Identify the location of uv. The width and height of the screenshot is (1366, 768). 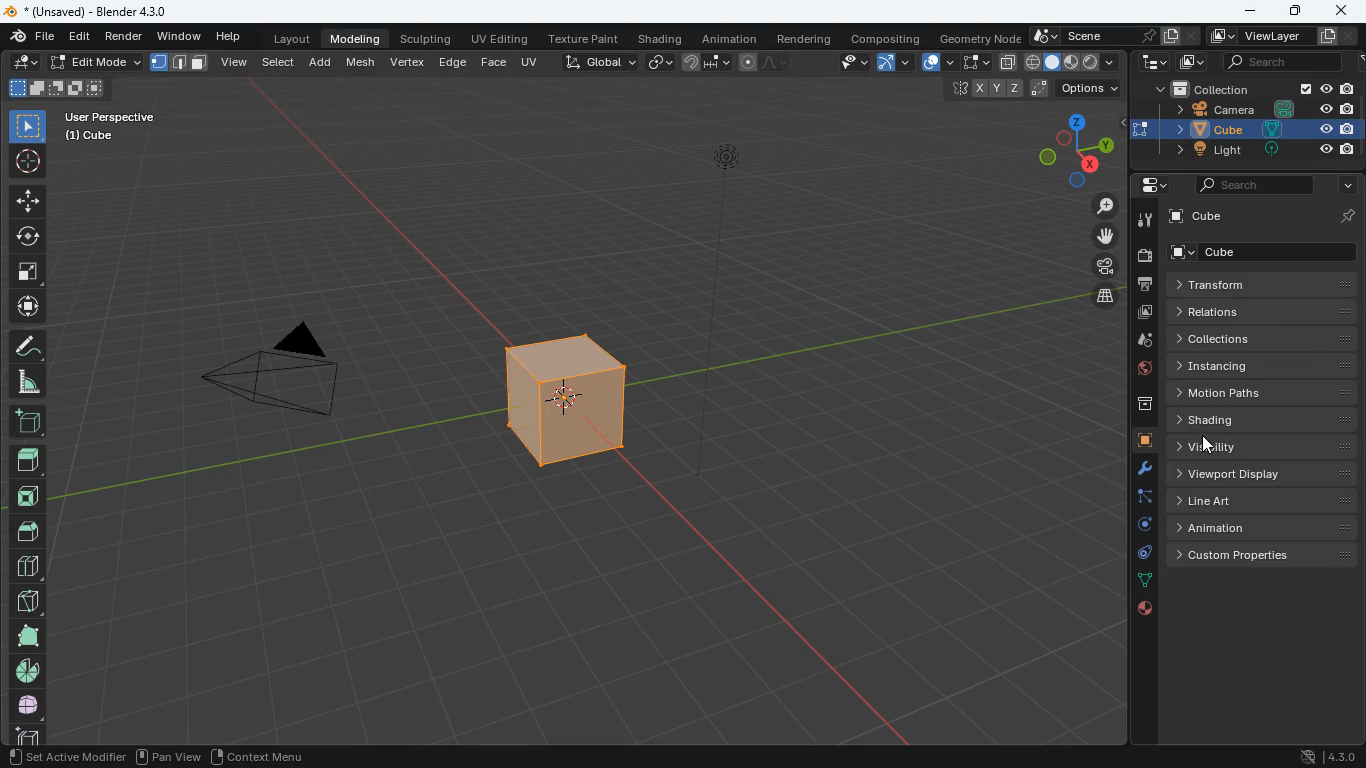
(532, 64).